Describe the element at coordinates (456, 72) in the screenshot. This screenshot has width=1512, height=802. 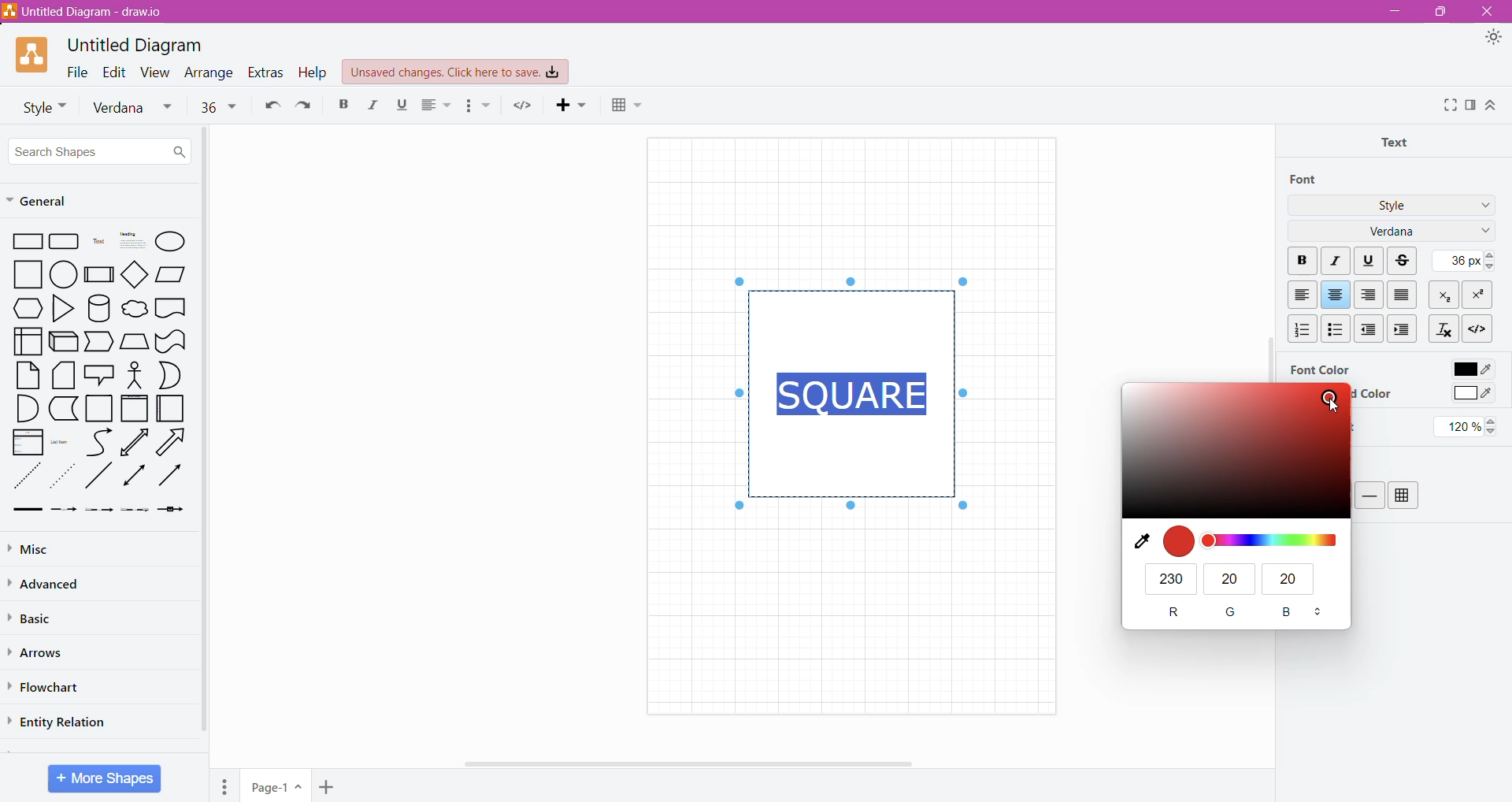
I see `Unsaved Changes. Click here to save` at that location.